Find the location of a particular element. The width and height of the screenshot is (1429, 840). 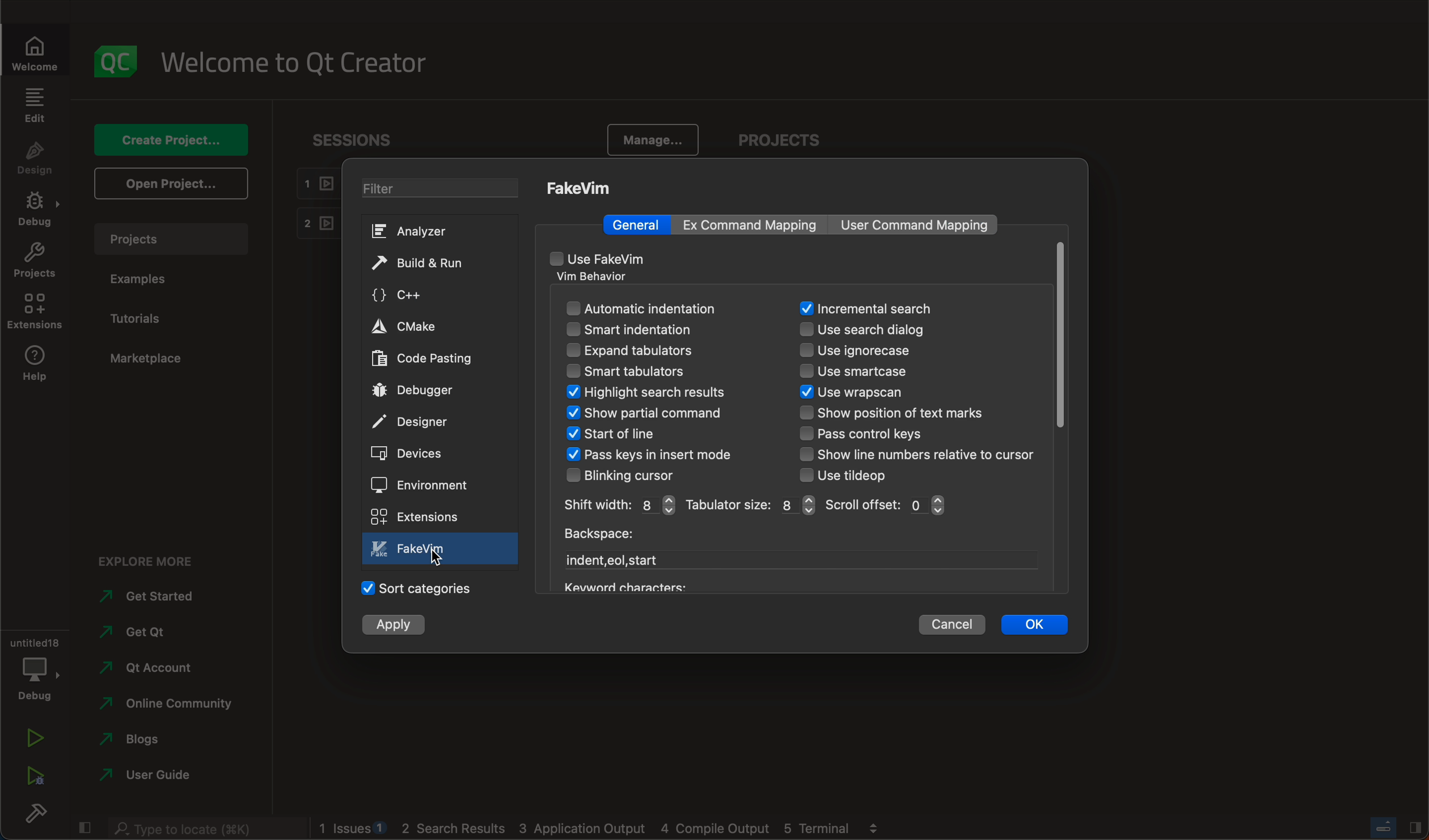

design is located at coordinates (38, 158).